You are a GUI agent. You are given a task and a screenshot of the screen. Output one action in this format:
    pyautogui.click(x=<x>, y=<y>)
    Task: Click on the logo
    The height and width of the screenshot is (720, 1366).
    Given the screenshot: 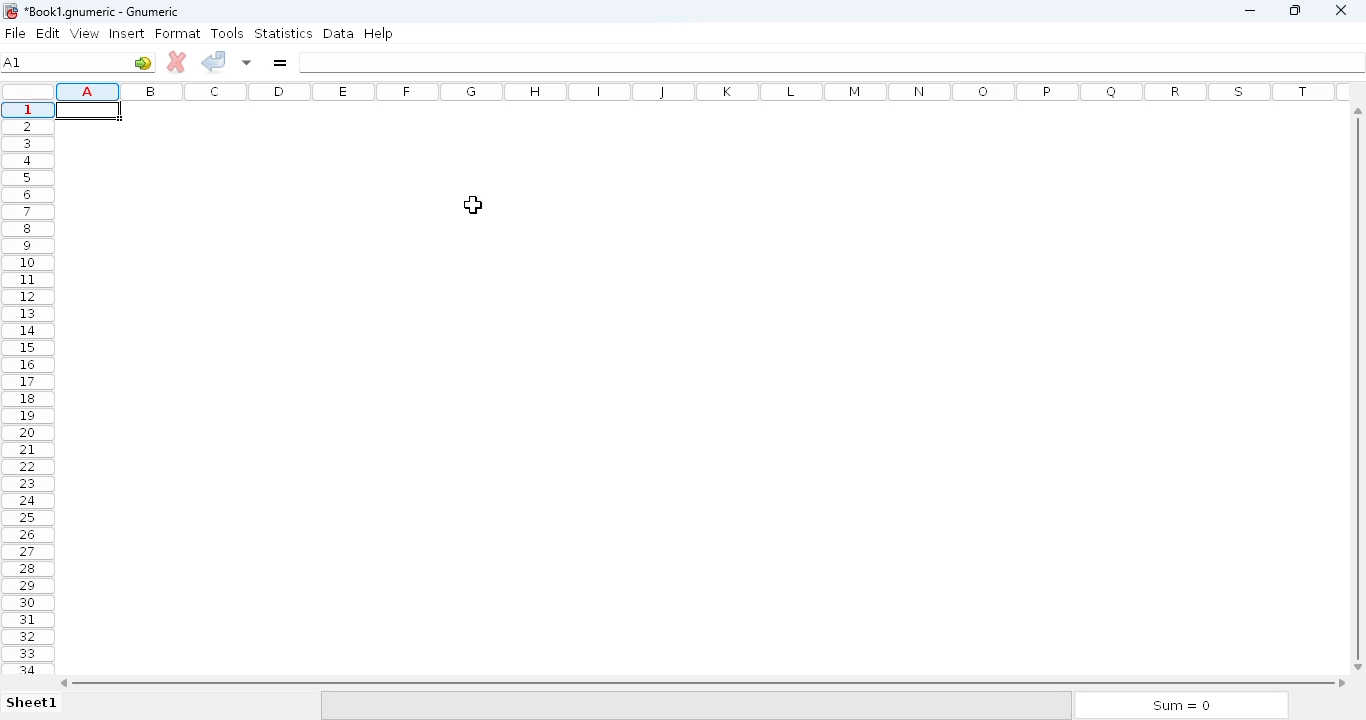 What is the action you would take?
    pyautogui.click(x=9, y=10)
    